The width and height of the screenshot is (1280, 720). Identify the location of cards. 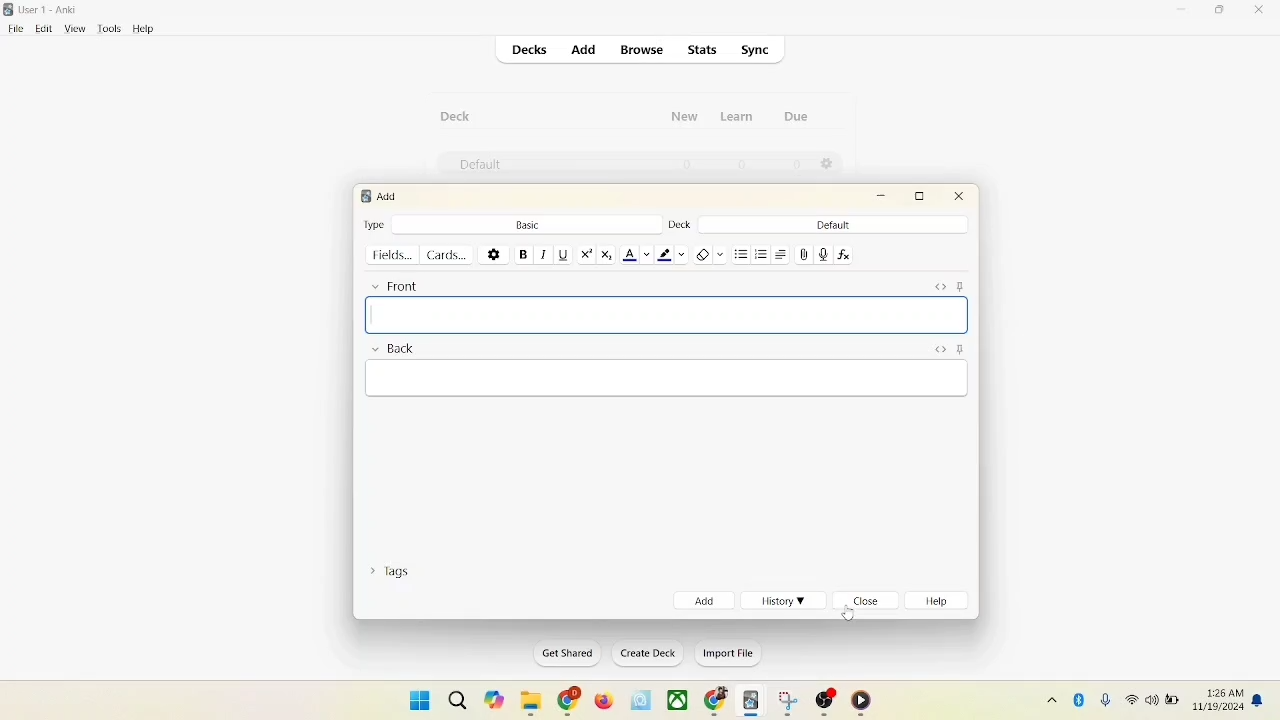
(451, 255).